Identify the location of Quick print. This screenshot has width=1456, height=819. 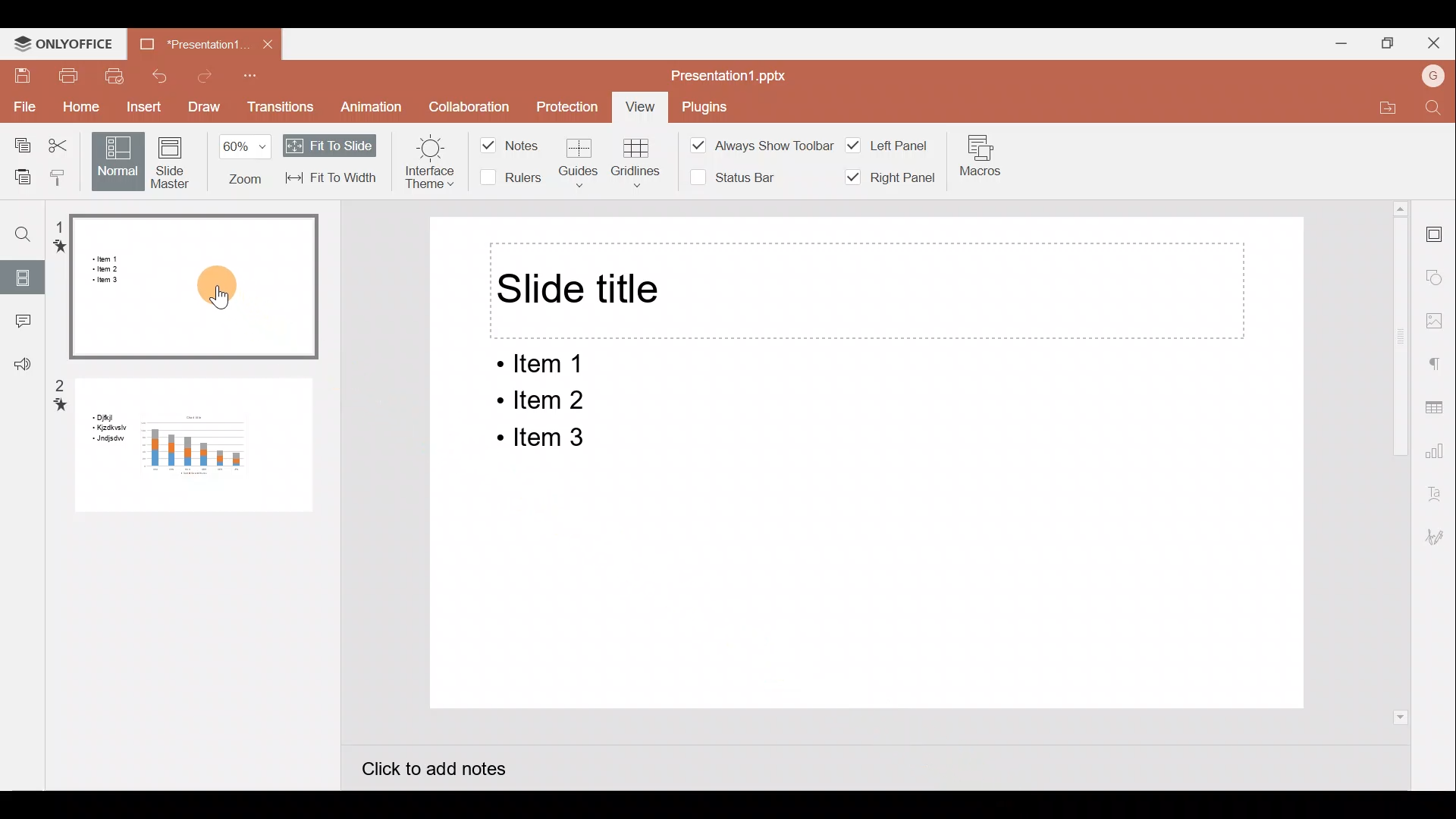
(115, 78).